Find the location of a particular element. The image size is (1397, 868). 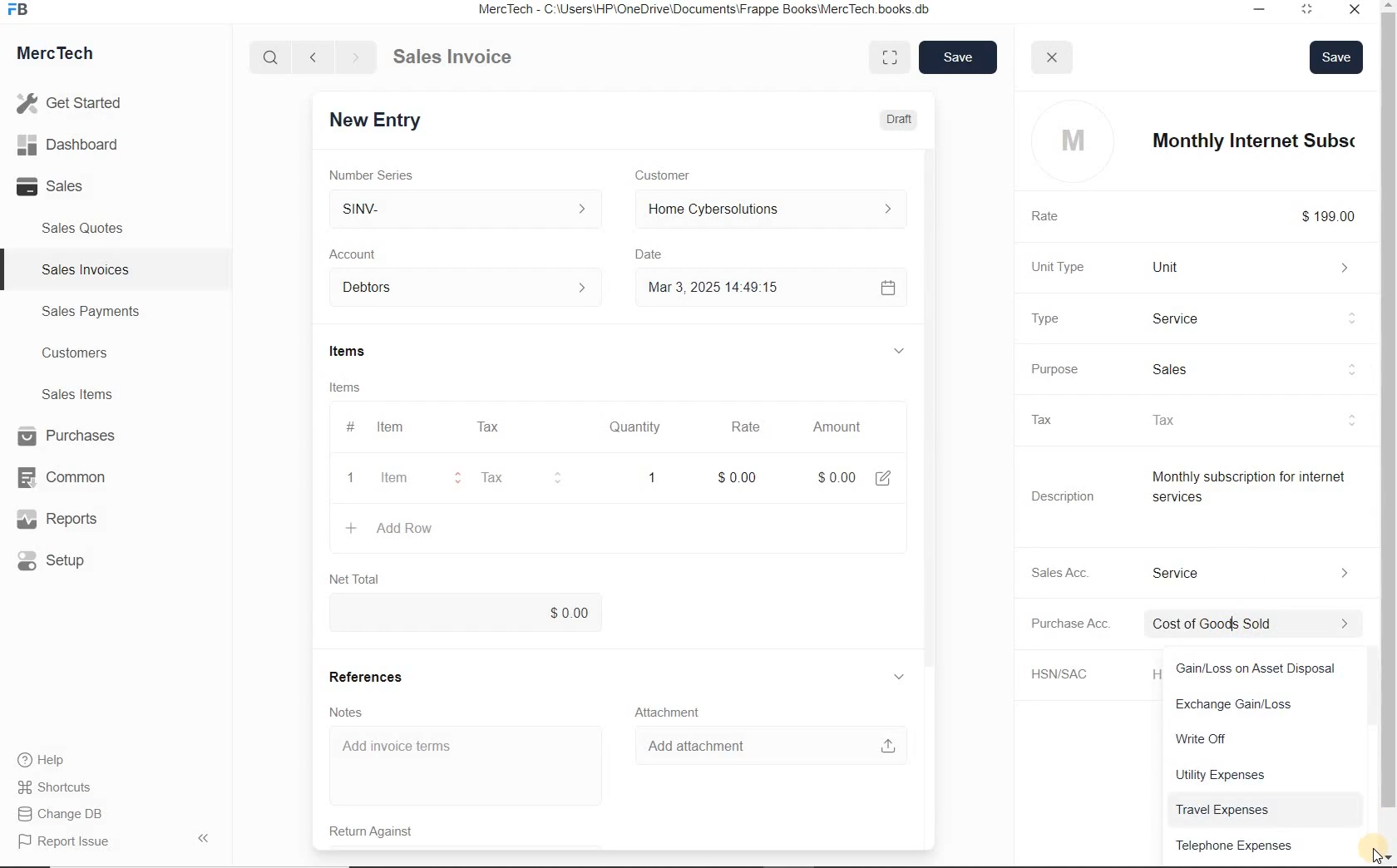

# is located at coordinates (540, 427).